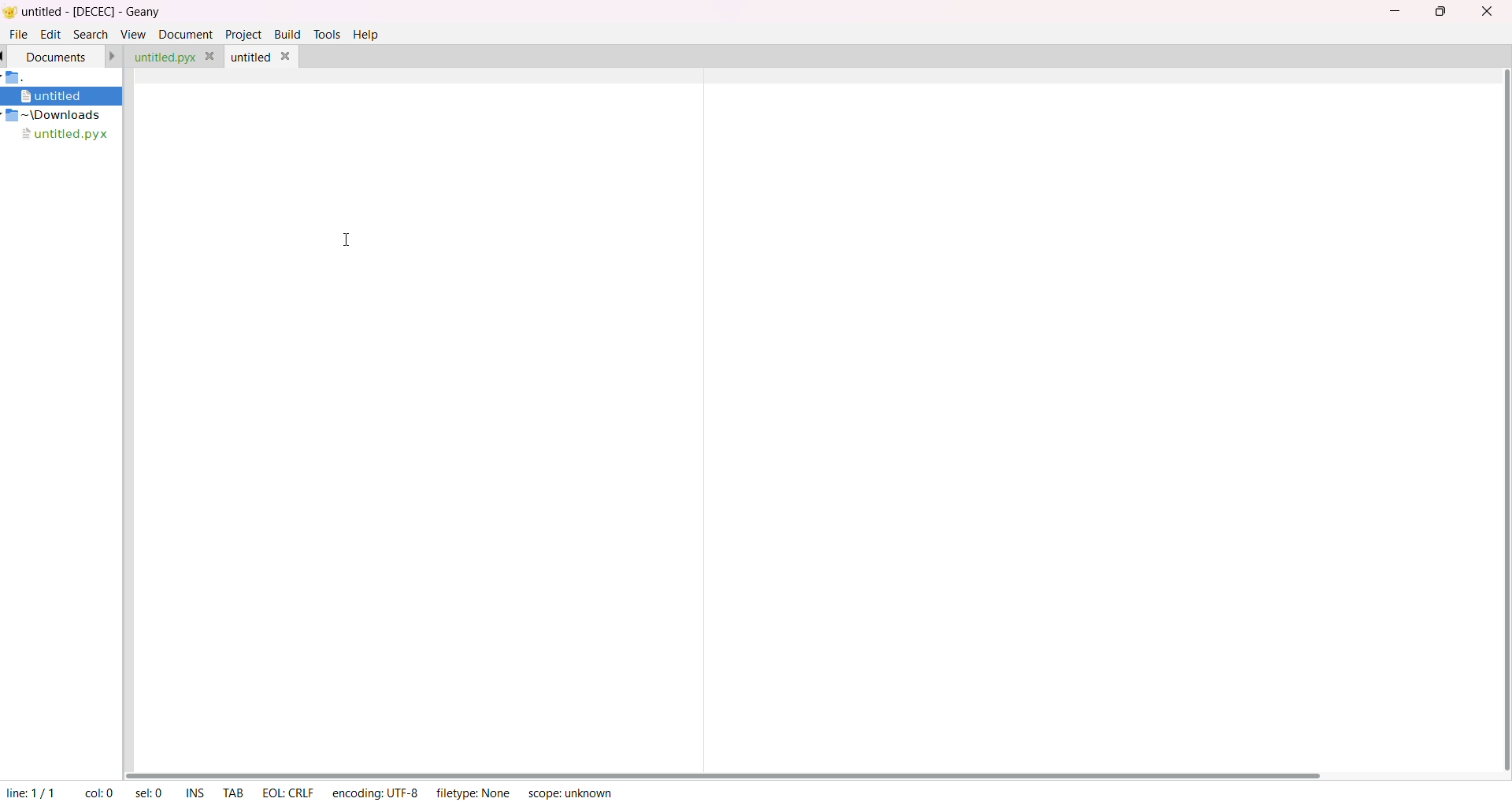  What do you see at coordinates (731, 769) in the screenshot?
I see `horizontal scroll bar` at bounding box center [731, 769].